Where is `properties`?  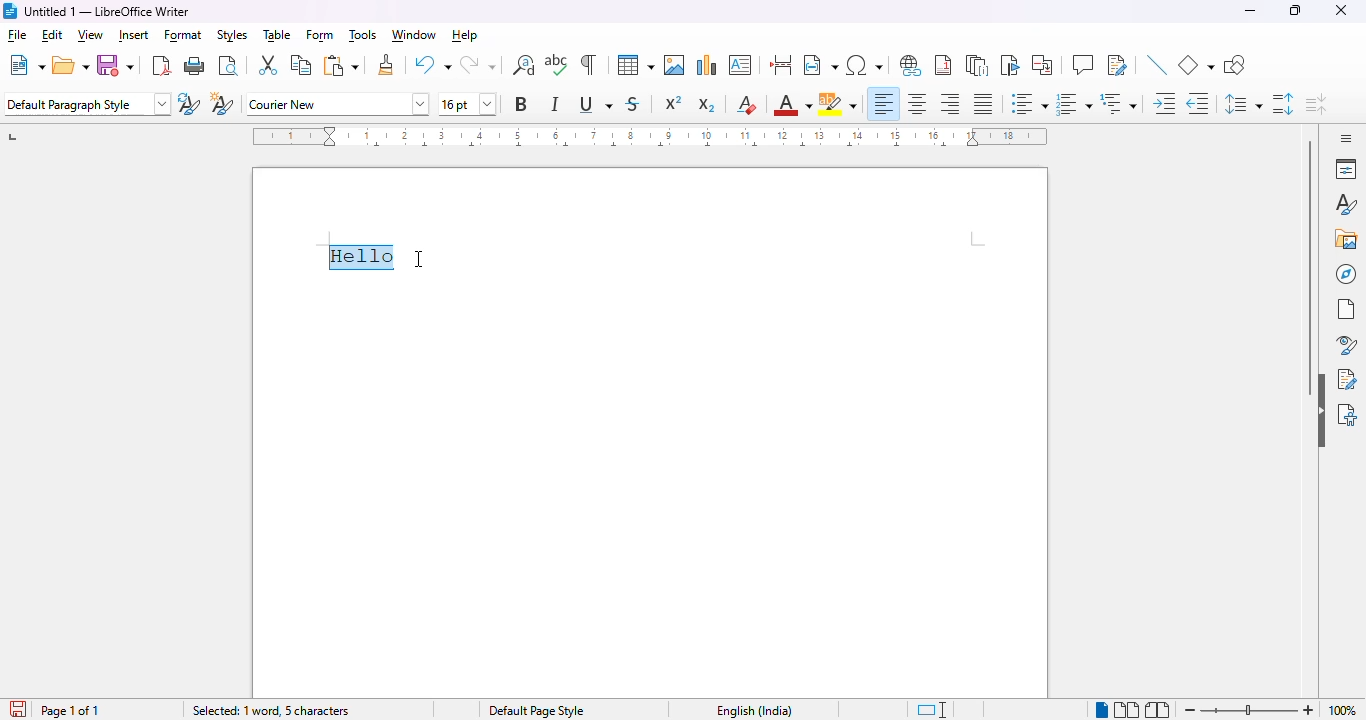 properties is located at coordinates (1346, 168).